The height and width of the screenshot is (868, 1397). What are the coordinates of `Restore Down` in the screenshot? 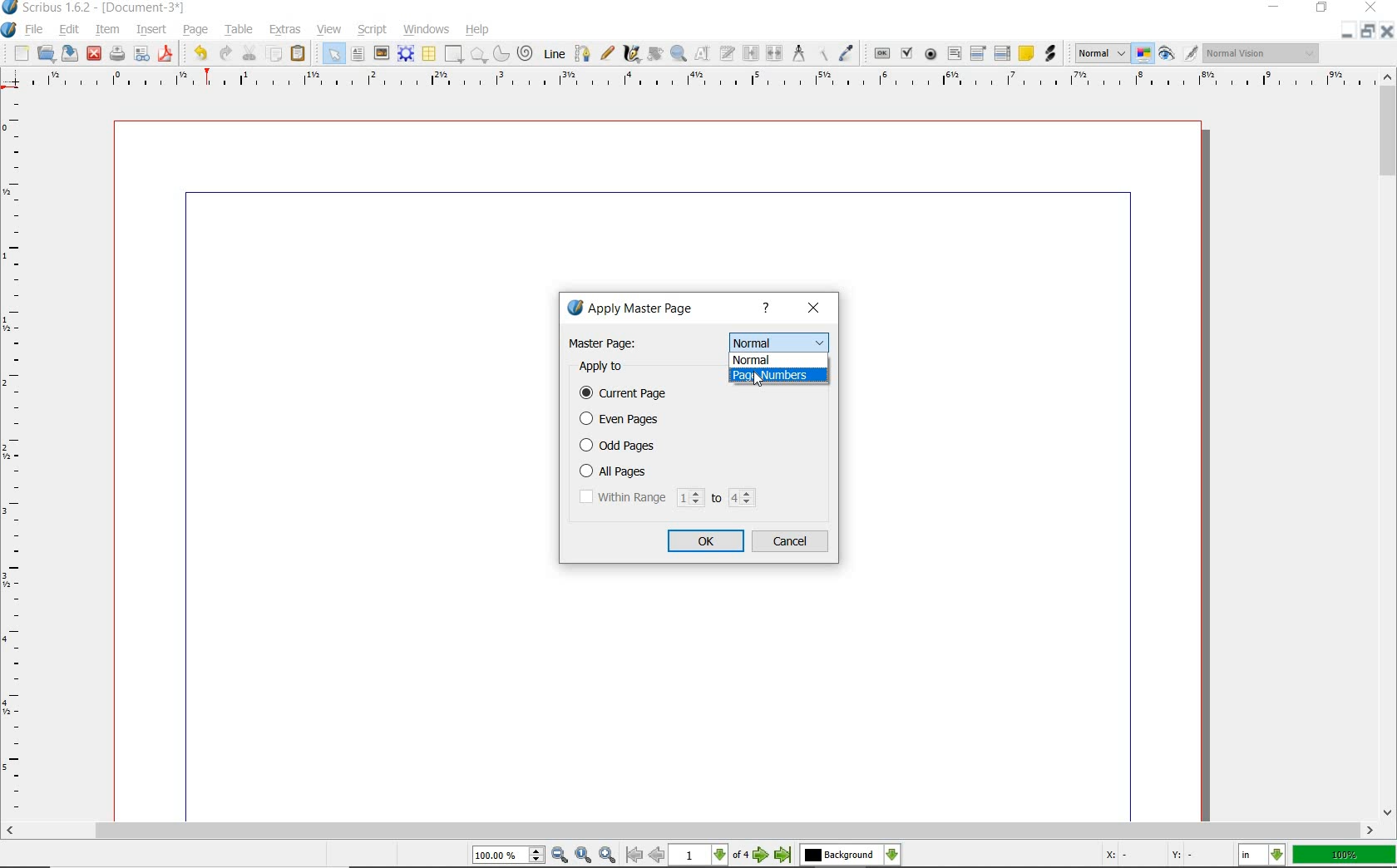 It's located at (1346, 33).